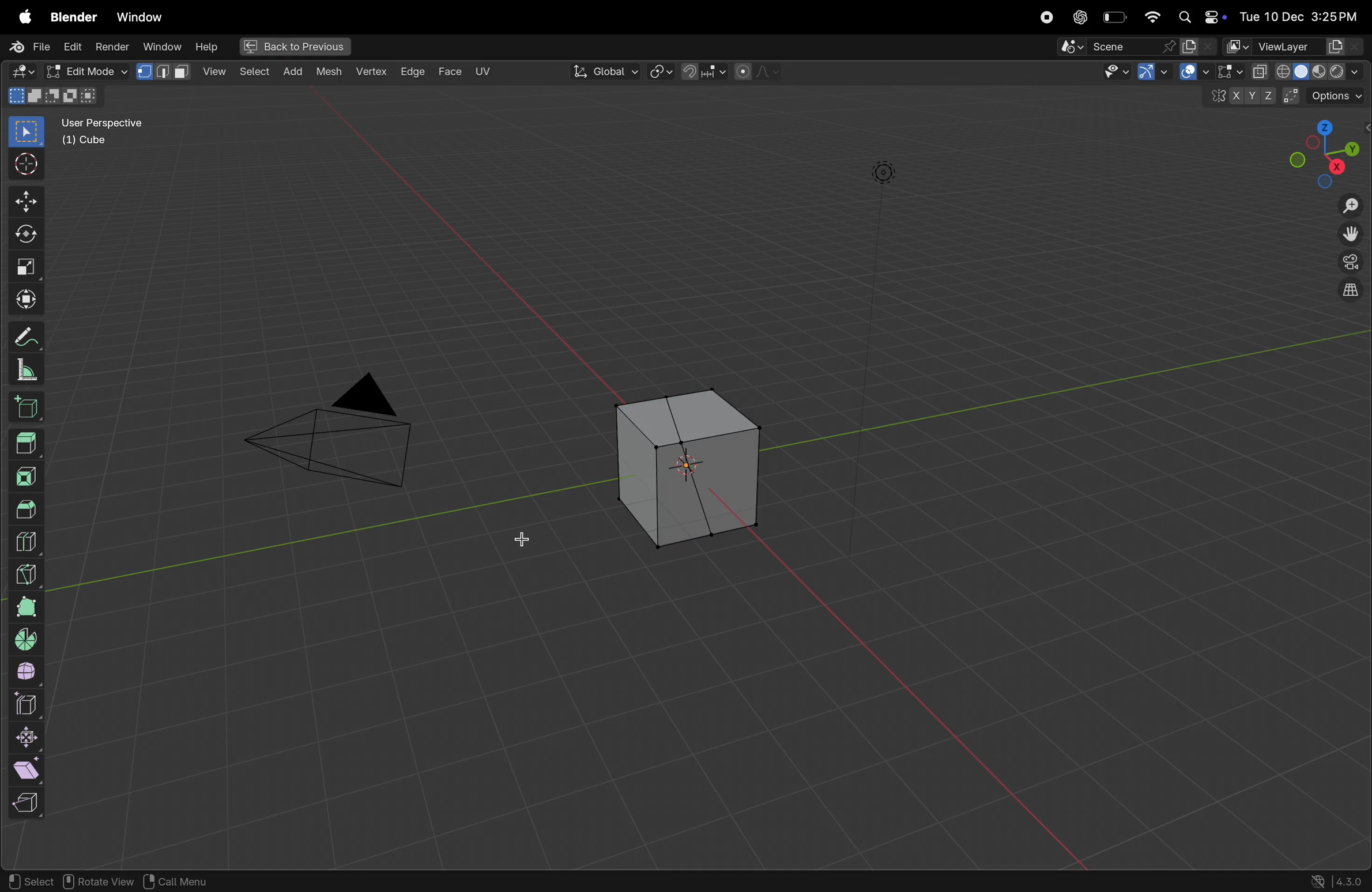 This screenshot has height=892, width=1372. I want to click on add, so click(252, 73).